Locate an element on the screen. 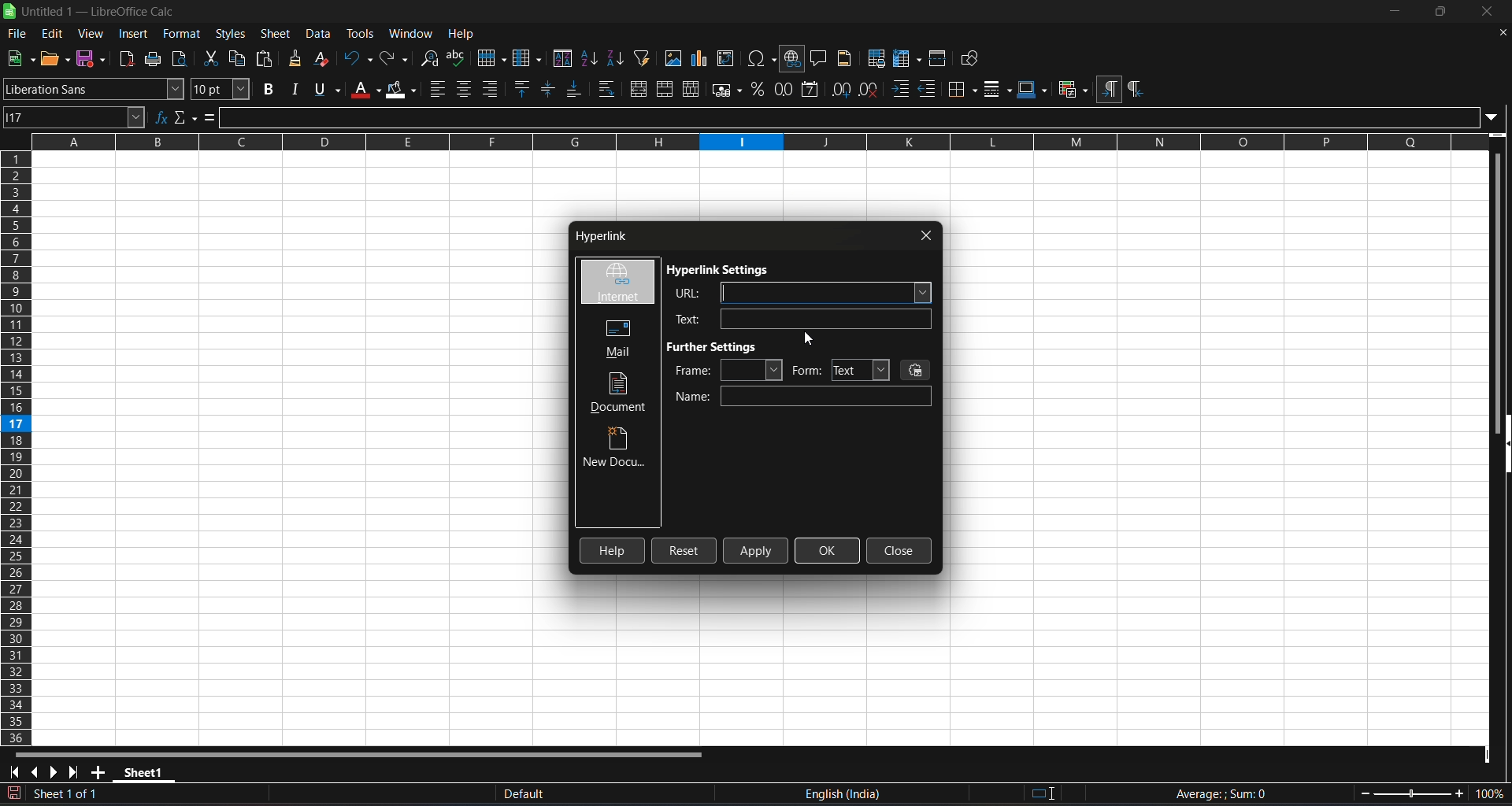  define print area is located at coordinates (876, 57).